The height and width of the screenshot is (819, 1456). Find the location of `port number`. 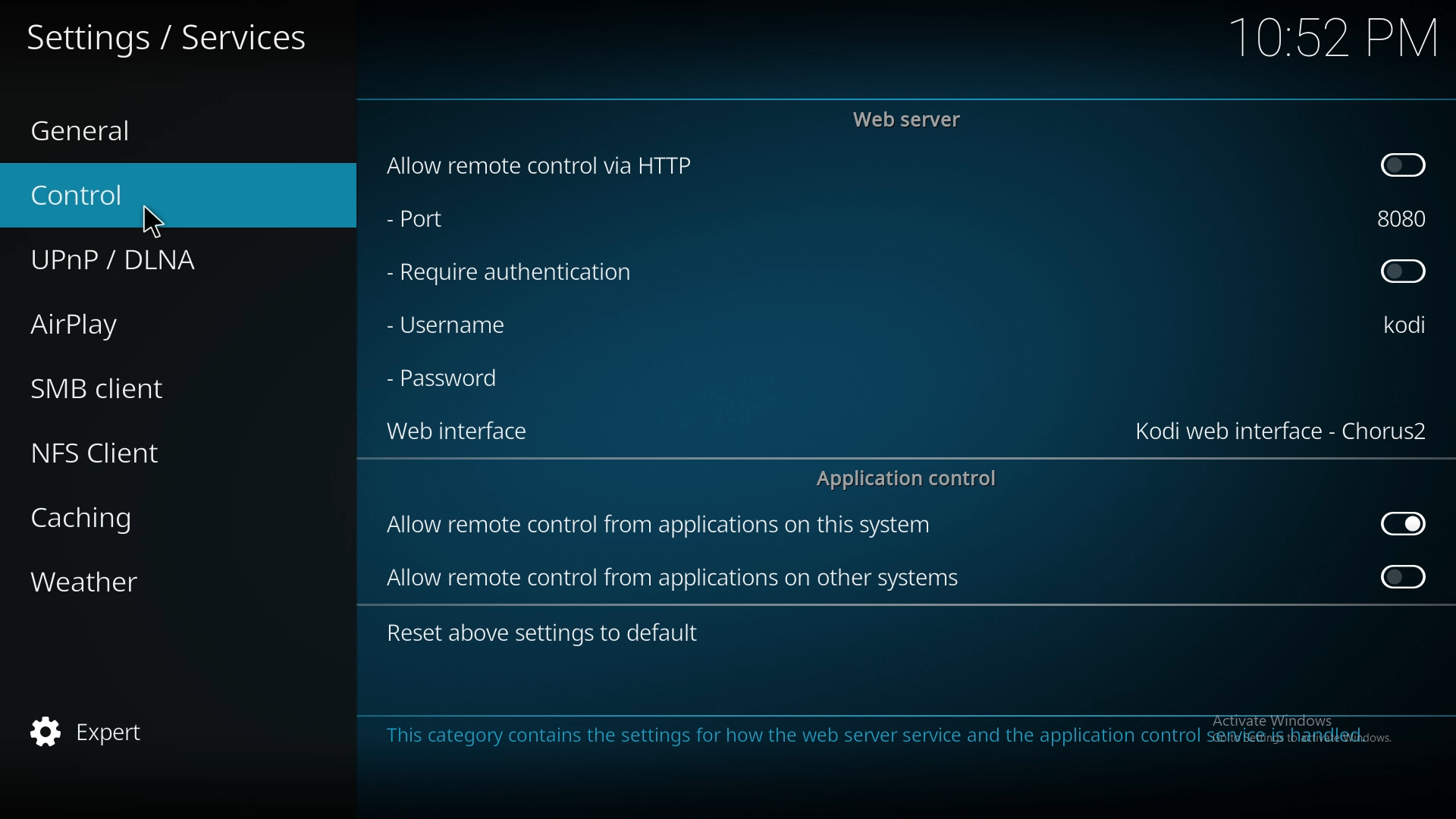

port number is located at coordinates (1403, 218).